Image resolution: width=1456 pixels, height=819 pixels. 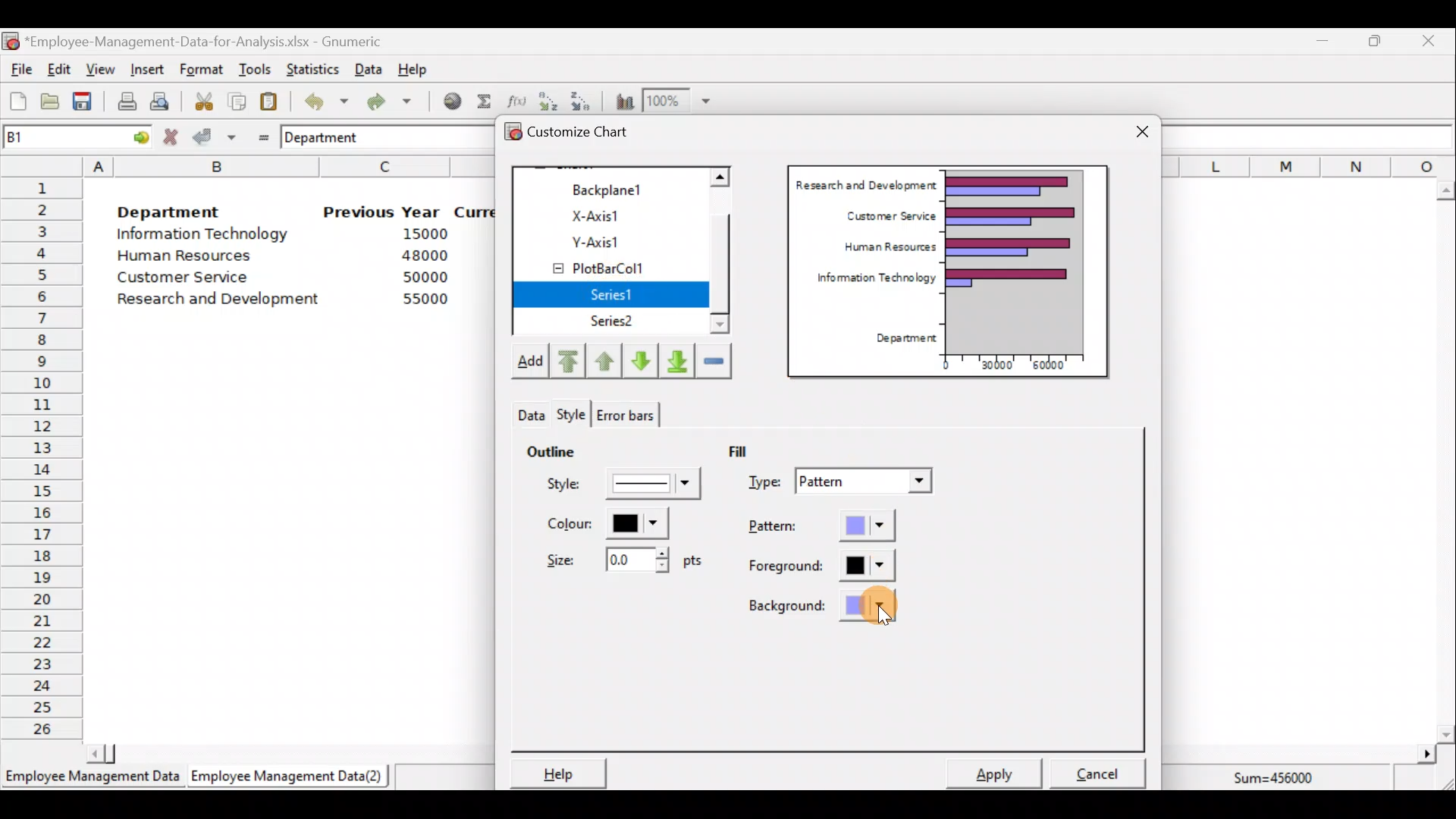 I want to click on Backplane1, so click(x=613, y=188).